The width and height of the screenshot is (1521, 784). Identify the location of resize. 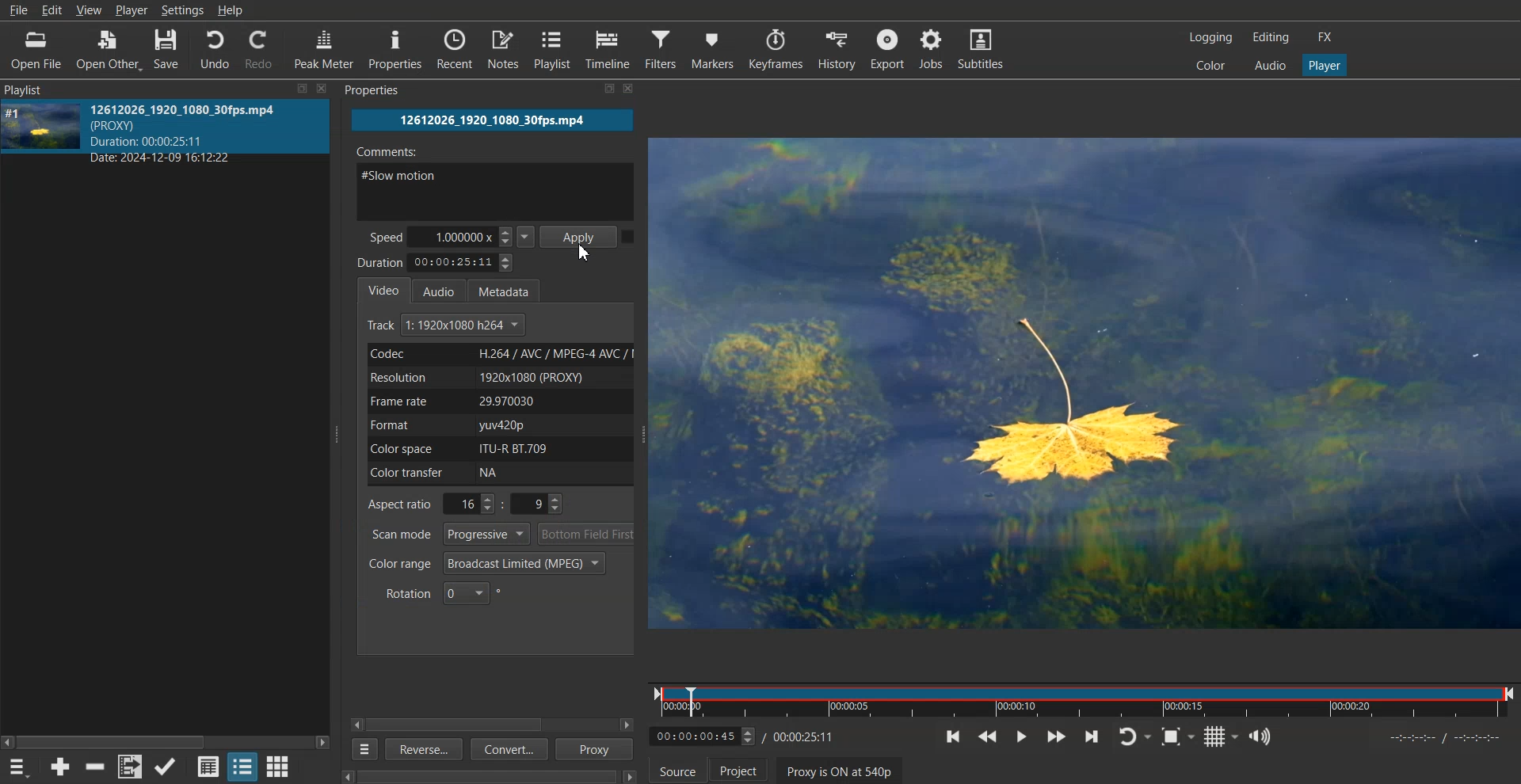
(592, 91).